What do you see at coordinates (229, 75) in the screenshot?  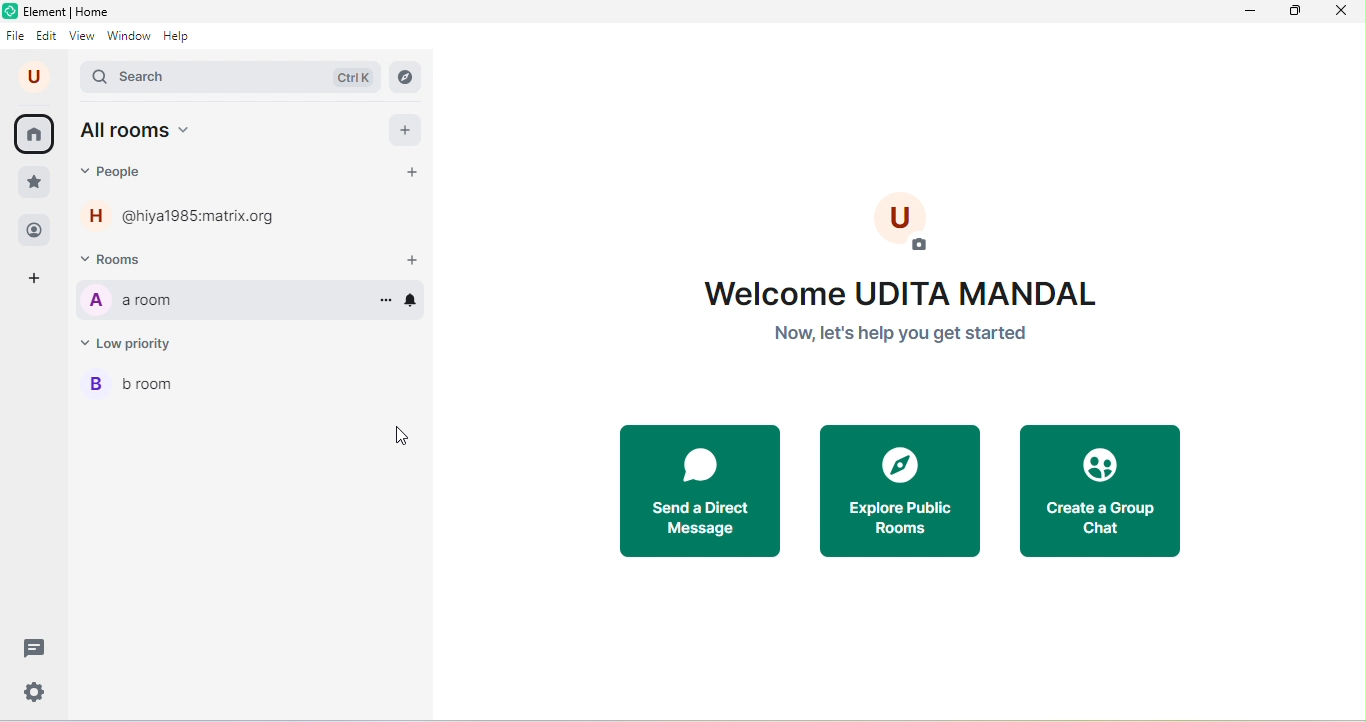 I see `search` at bounding box center [229, 75].